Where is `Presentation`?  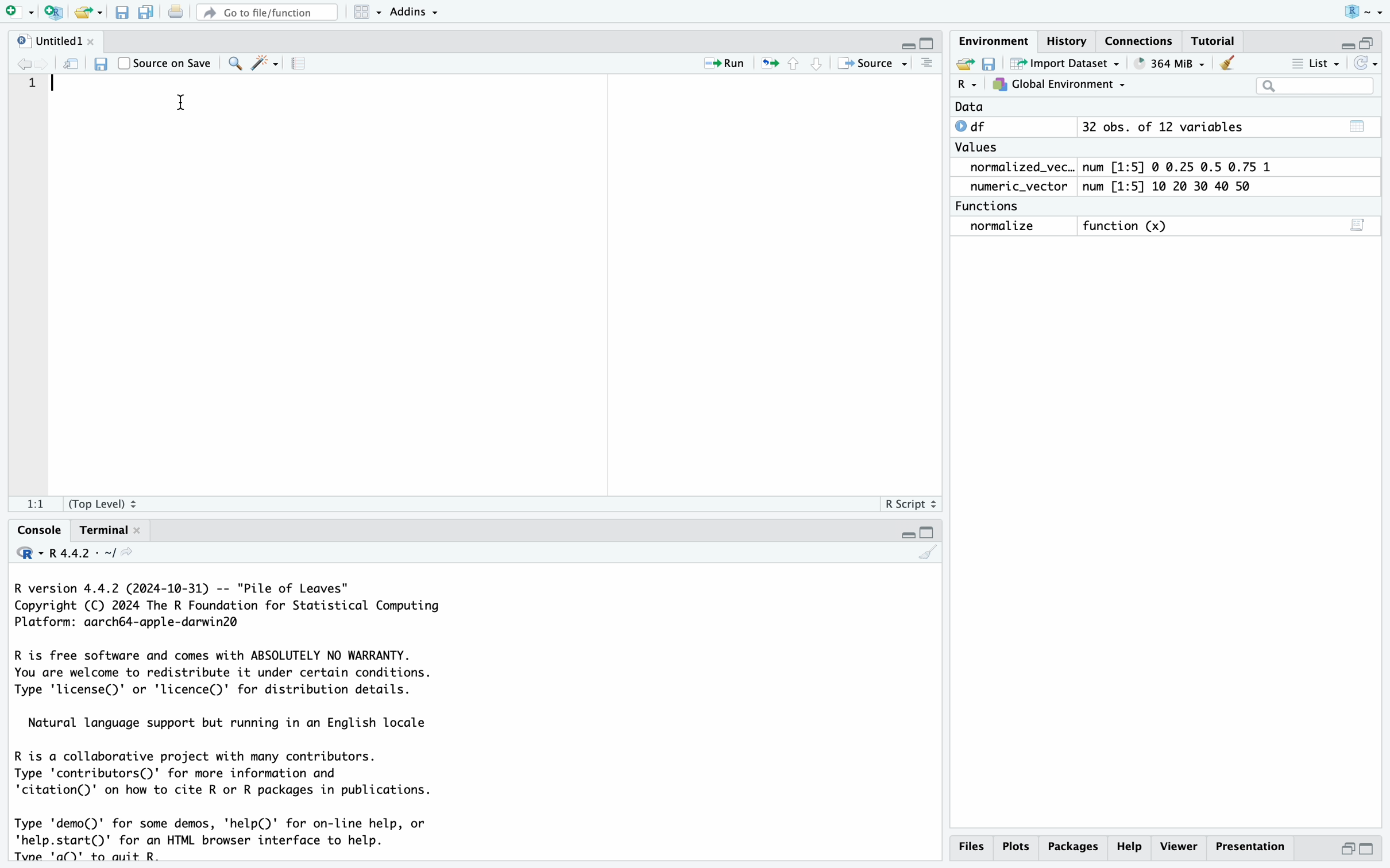 Presentation is located at coordinates (1252, 845).